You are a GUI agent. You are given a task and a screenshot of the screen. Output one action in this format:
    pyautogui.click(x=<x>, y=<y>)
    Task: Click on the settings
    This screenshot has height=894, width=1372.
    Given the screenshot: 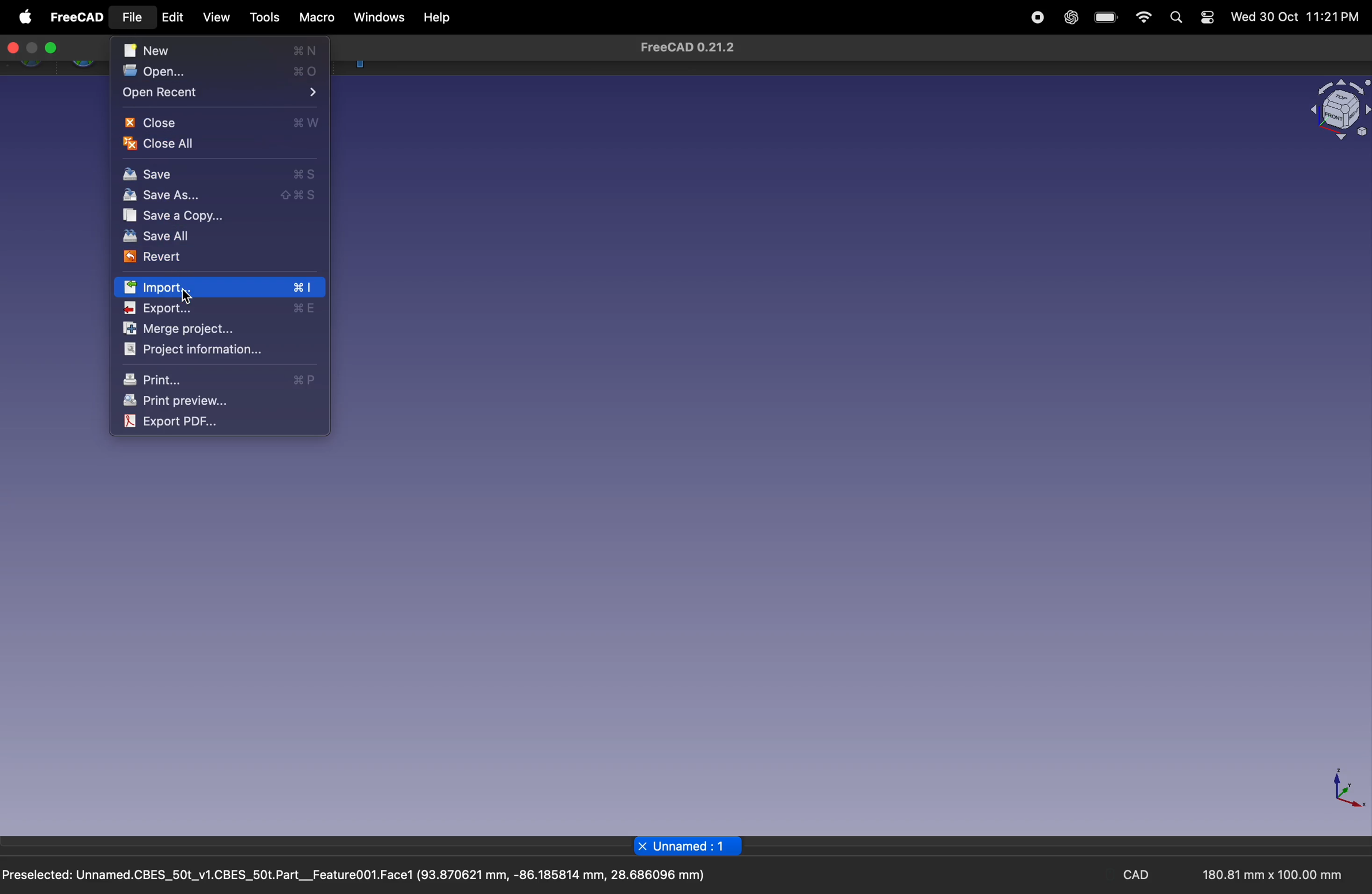 What is the action you would take?
    pyautogui.click(x=1207, y=18)
    